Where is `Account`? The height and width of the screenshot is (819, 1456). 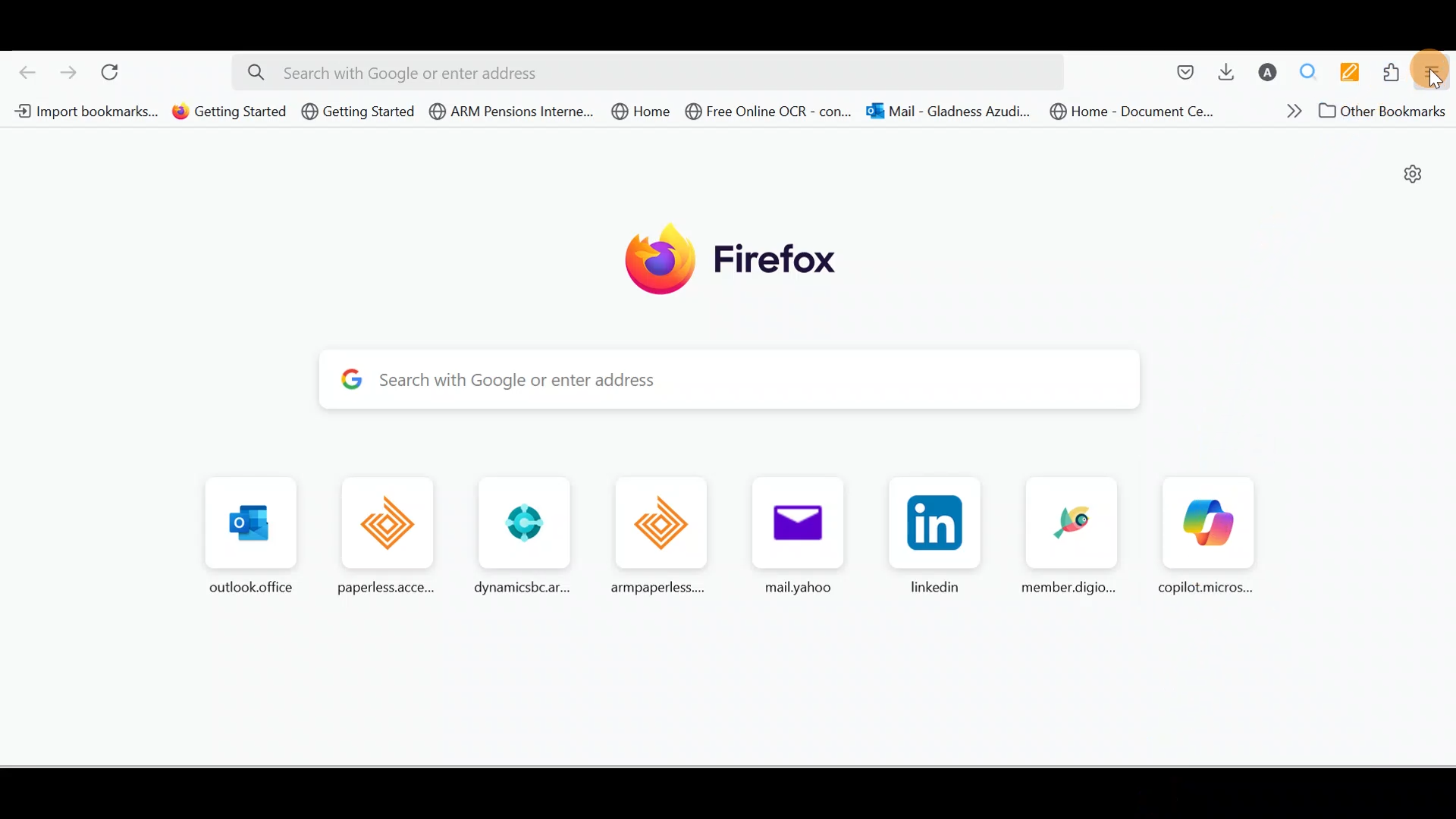
Account is located at coordinates (1267, 72).